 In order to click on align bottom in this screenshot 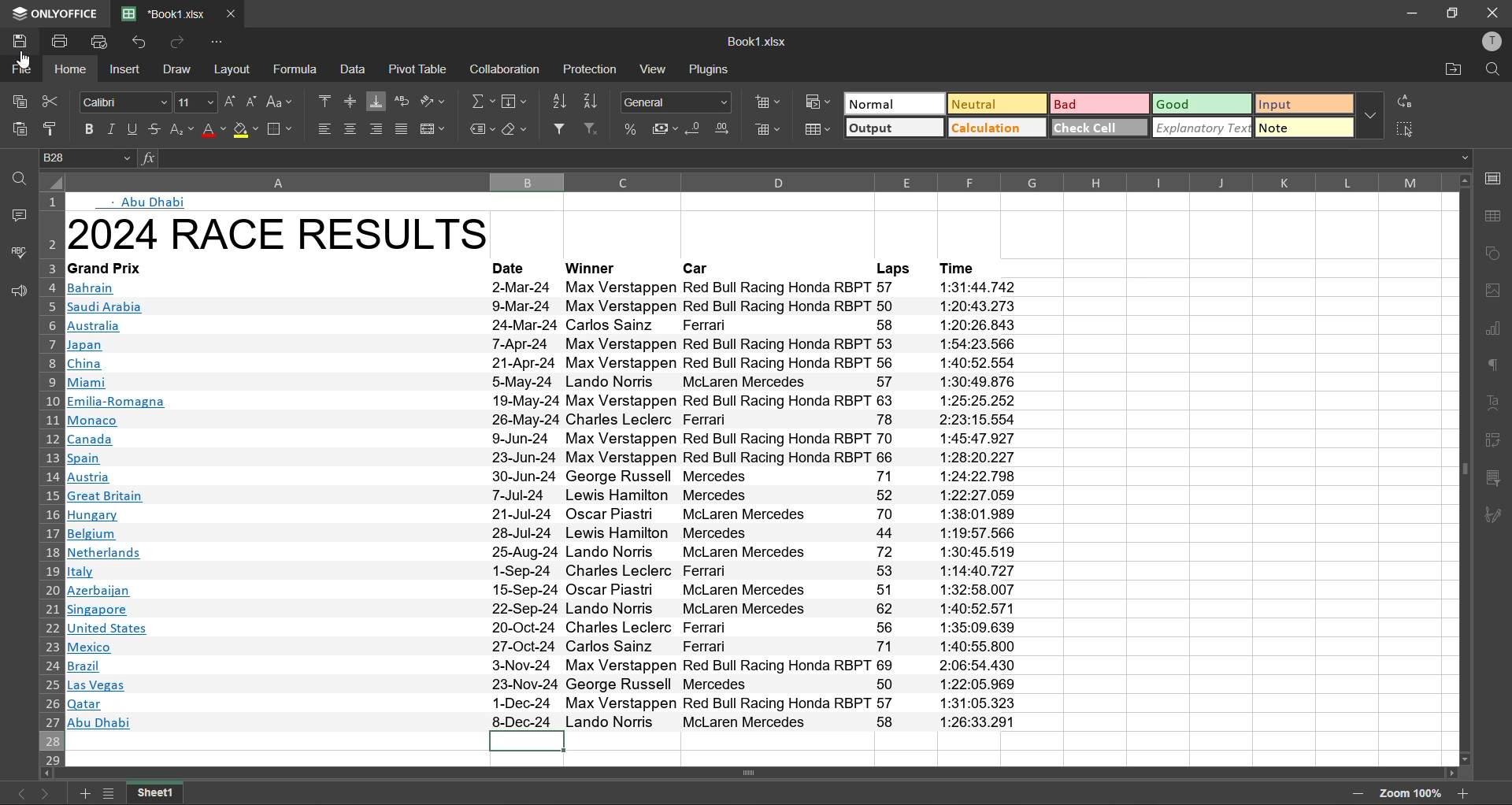, I will do `click(377, 102)`.